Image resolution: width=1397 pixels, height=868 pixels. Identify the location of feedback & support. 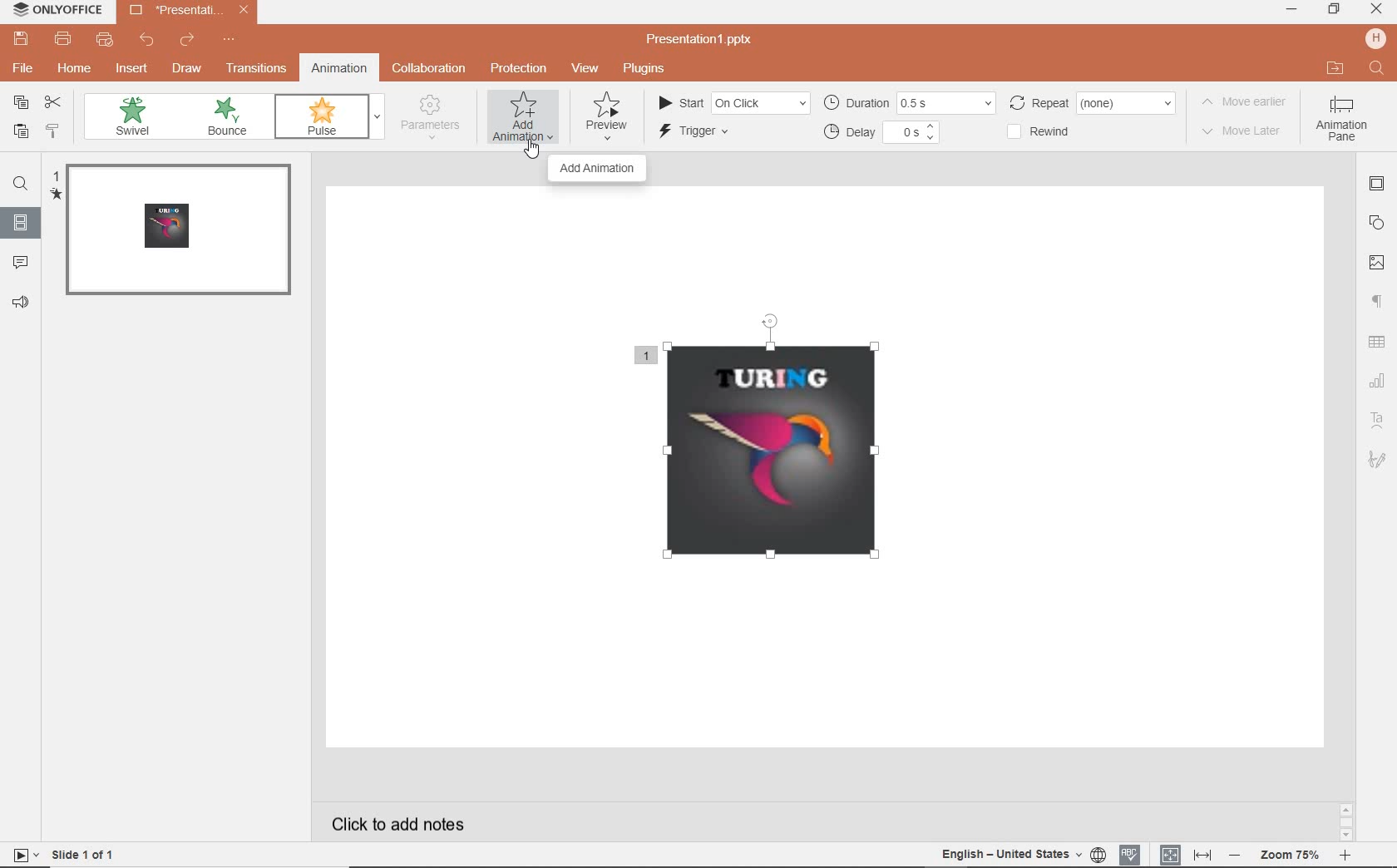
(20, 303).